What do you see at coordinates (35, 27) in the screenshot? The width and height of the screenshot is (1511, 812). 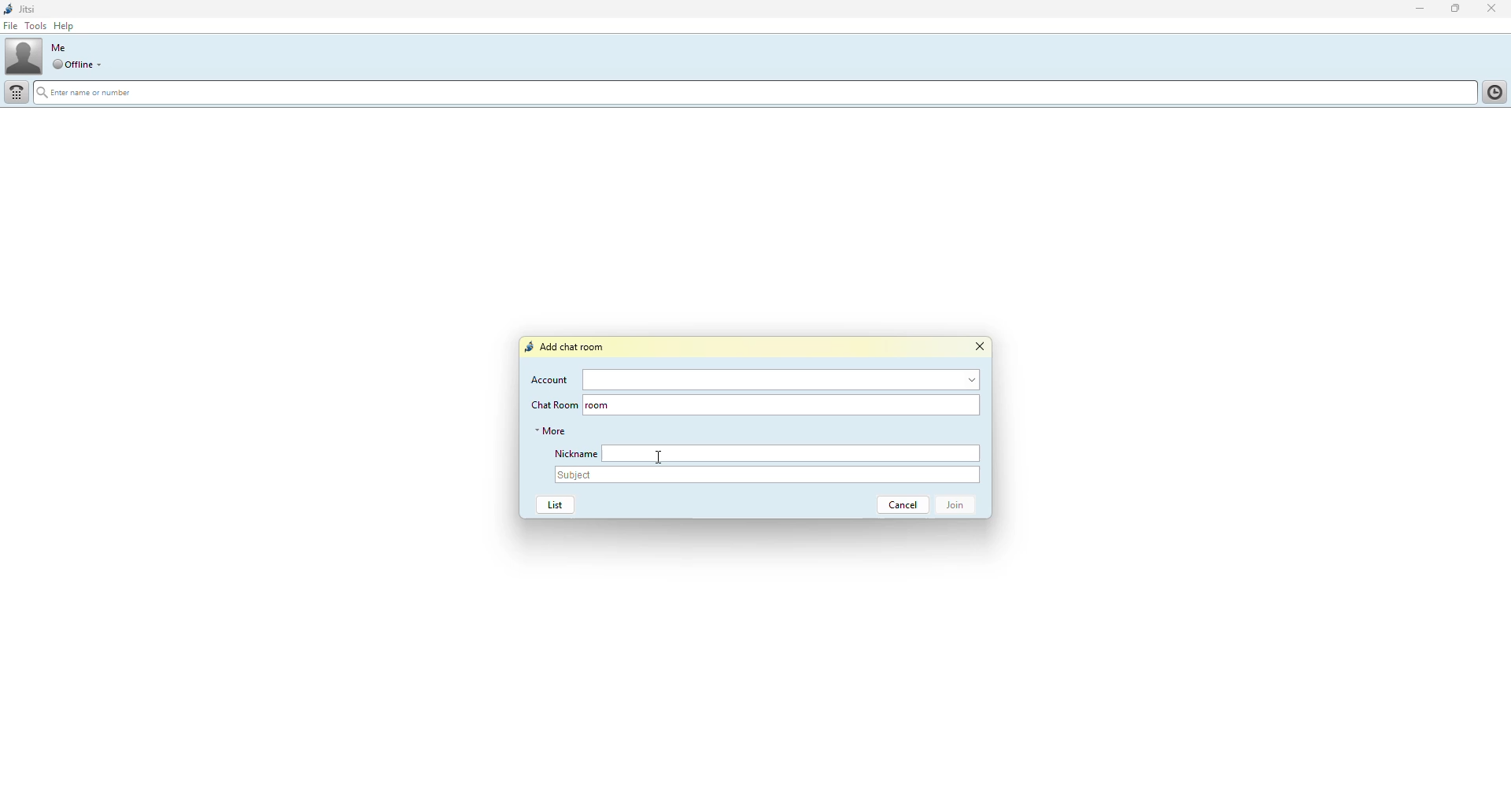 I see `tools` at bounding box center [35, 27].